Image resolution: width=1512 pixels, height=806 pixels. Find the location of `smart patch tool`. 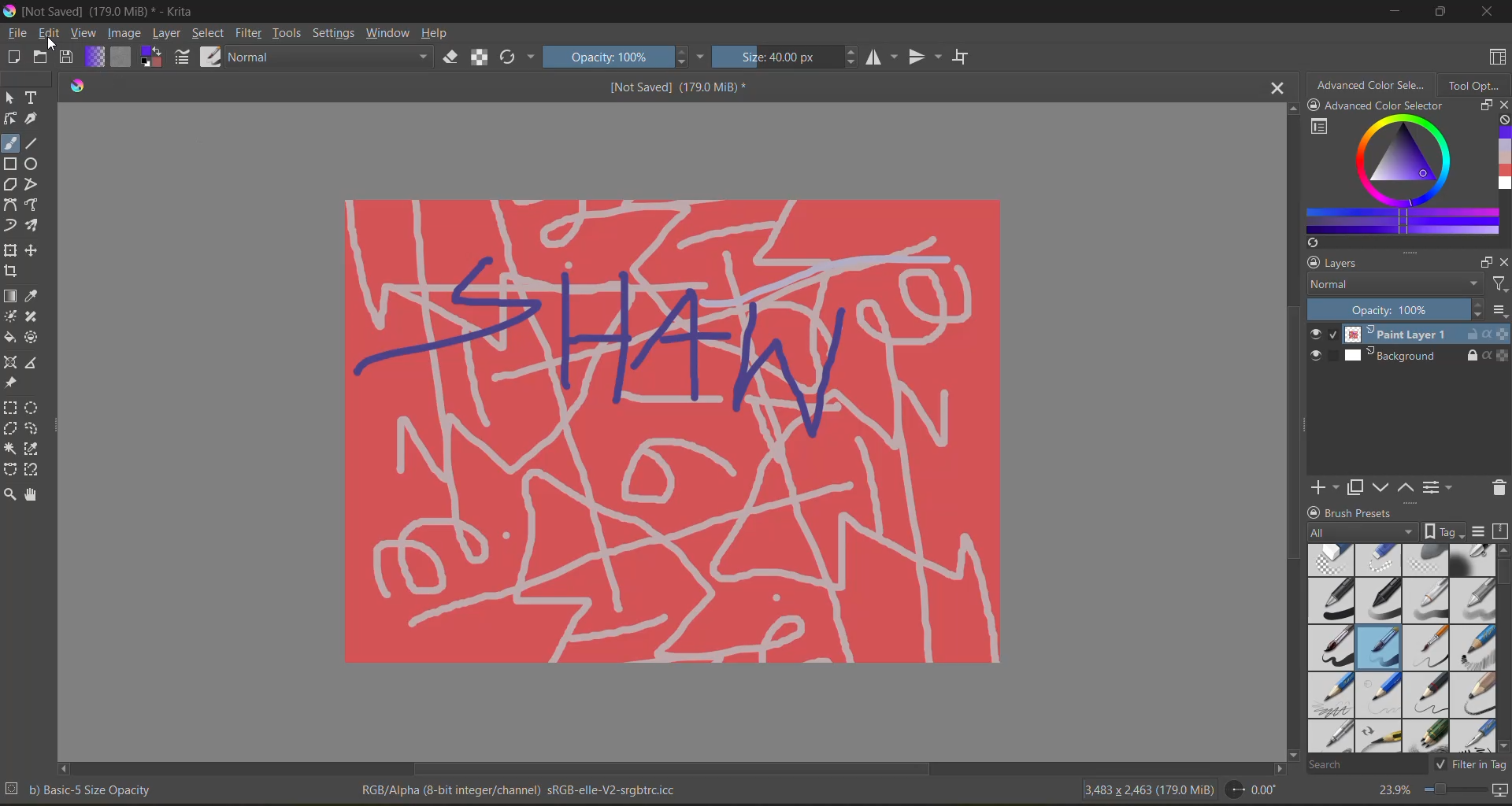

smart patch tool is located at coordinates (32, 318).